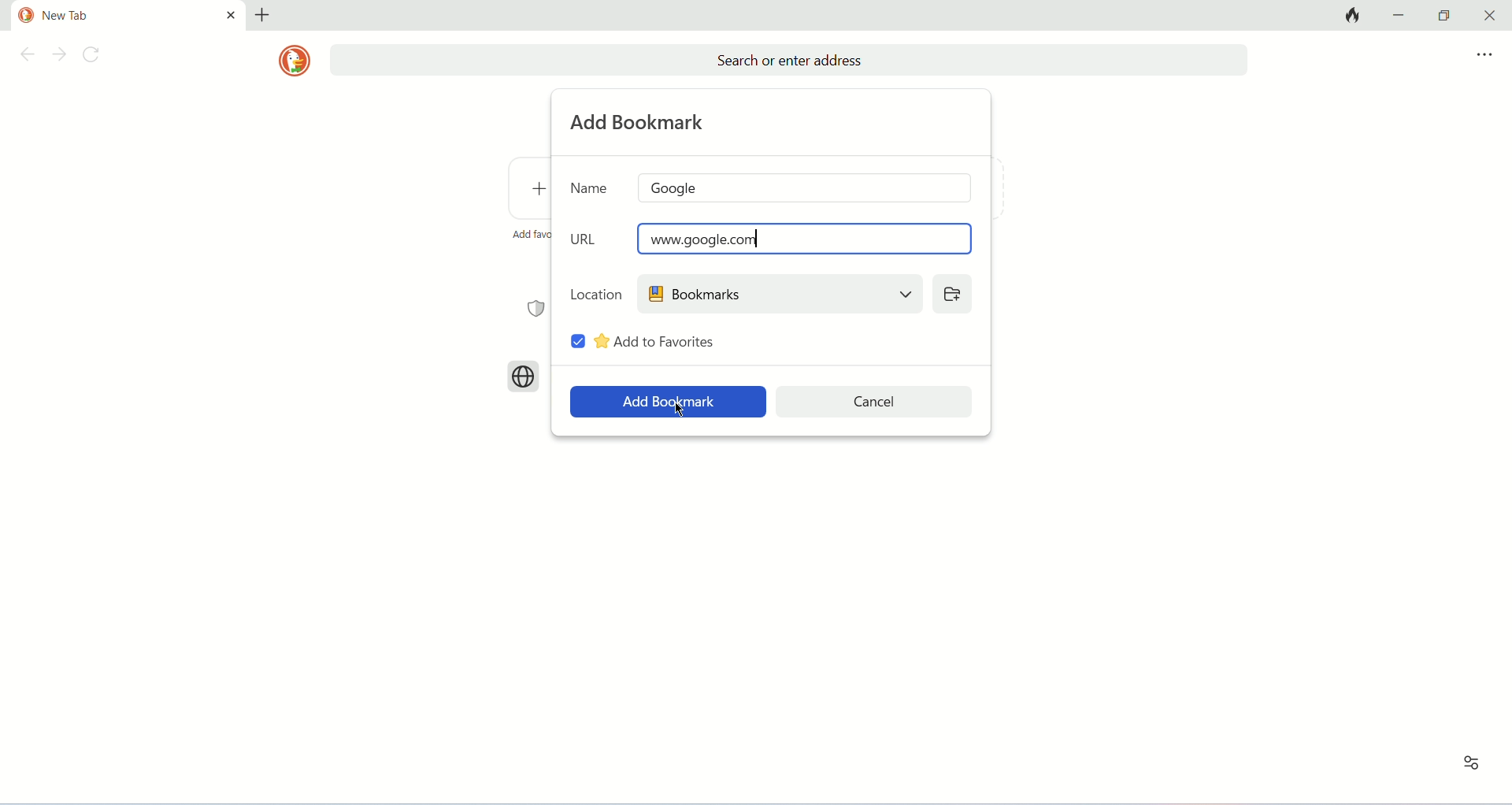 The width and height of the screenshot is (1512, 805). What do you see at coordinates (294, 61) in the screenshot?
I see `logo` at bounding box center [294, 61].